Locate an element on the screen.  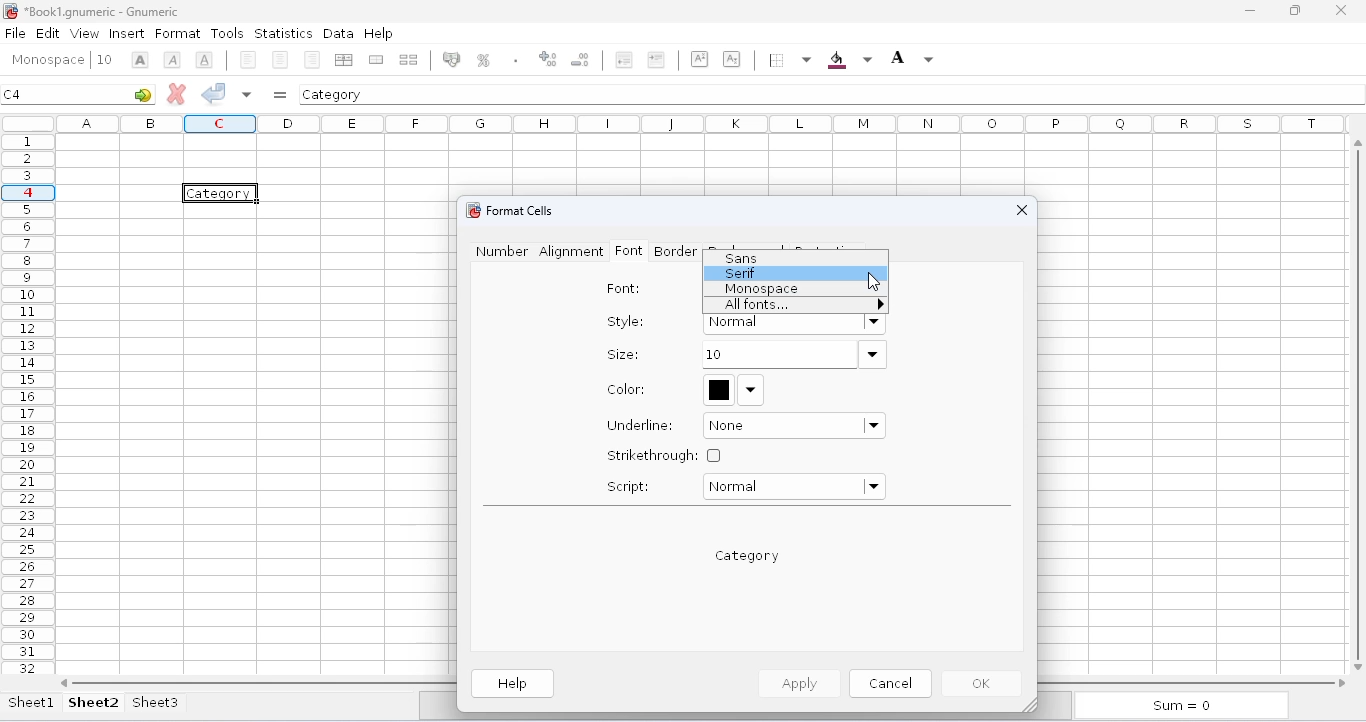
font demo is located at coordinates (748, 556).